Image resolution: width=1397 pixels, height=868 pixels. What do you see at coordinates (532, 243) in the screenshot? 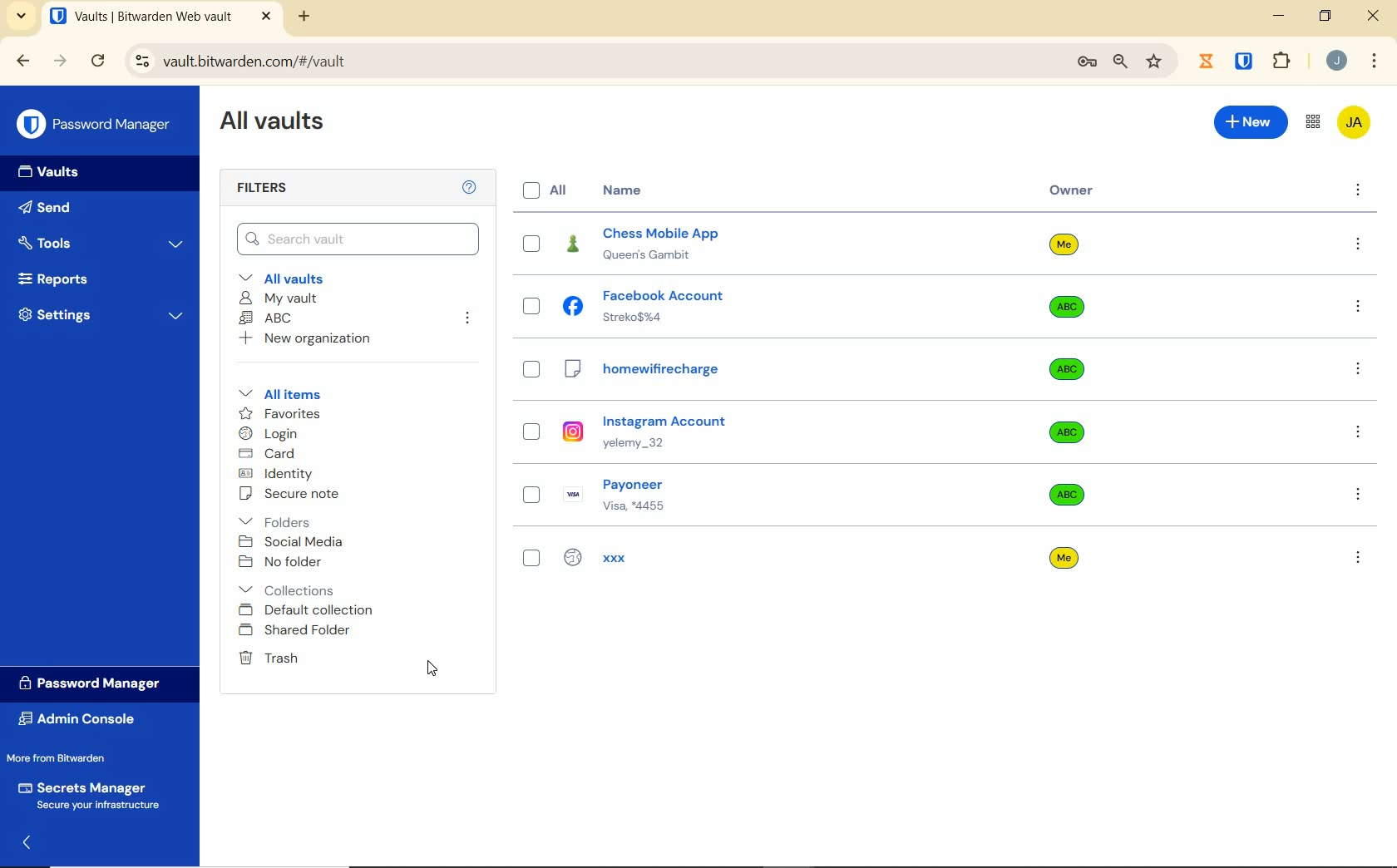
I see `select entry` at bounding box center [532, 243].